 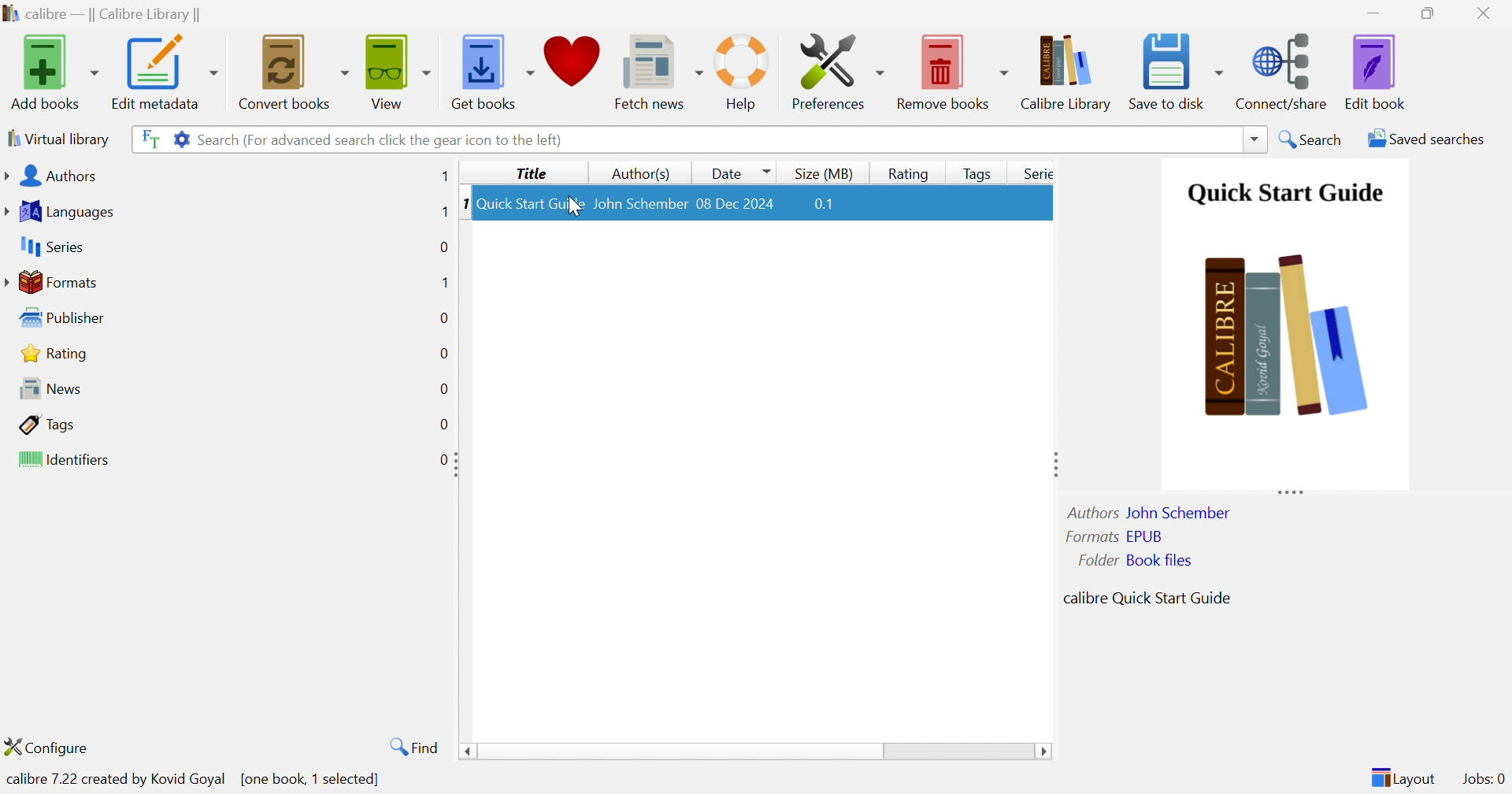 What do you see at coordinates (65, 210) in the screenshot?
I see `languages` at bounding box center [65, 210].